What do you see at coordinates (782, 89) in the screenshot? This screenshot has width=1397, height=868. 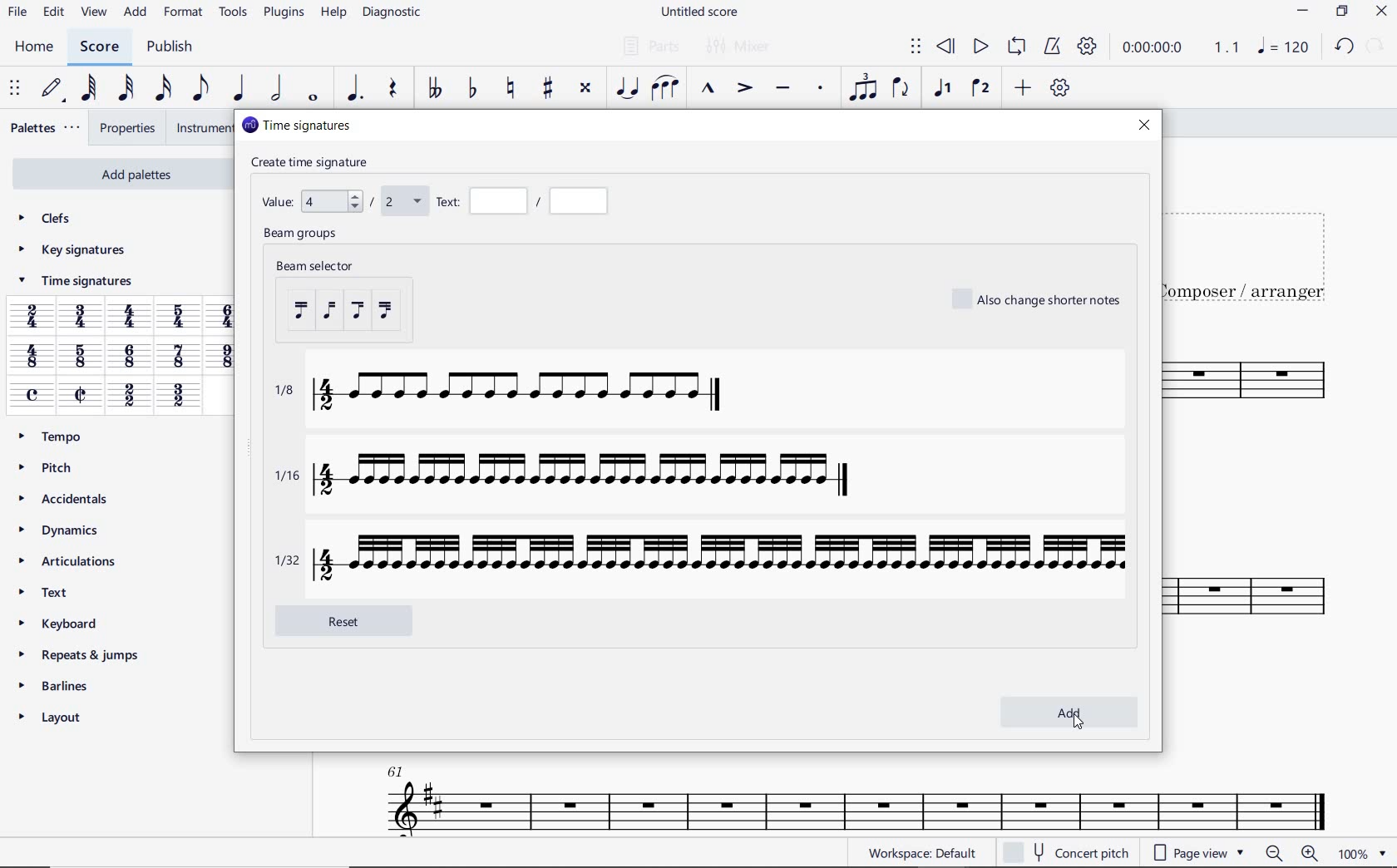 I see `TENUTO` at bounding box center [782, 89].